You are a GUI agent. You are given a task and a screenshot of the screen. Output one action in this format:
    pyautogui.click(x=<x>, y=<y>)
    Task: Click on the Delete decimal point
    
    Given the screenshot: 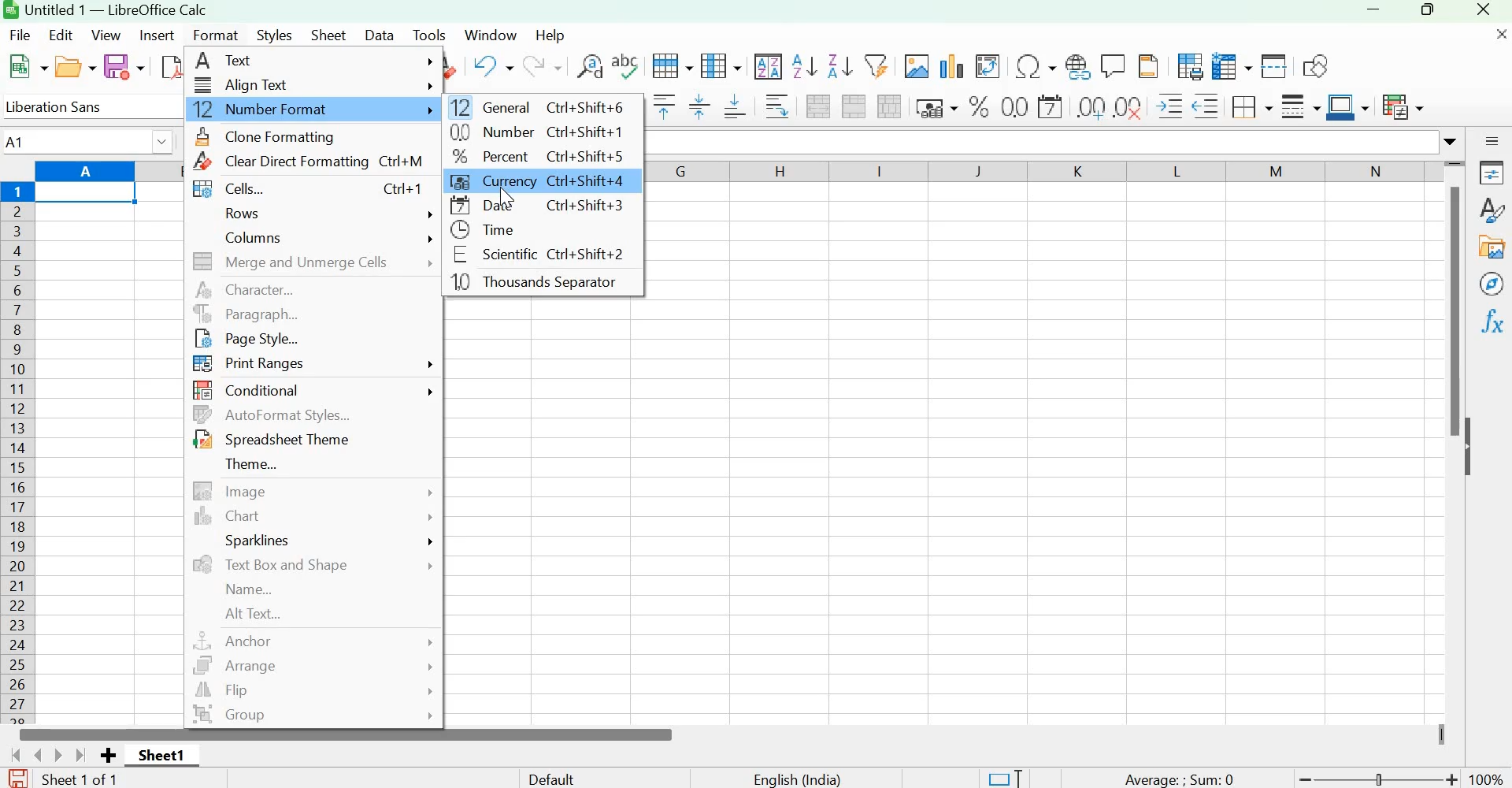 What is the action you would take?
    pyautogui.click(x=1129, y=106)
    